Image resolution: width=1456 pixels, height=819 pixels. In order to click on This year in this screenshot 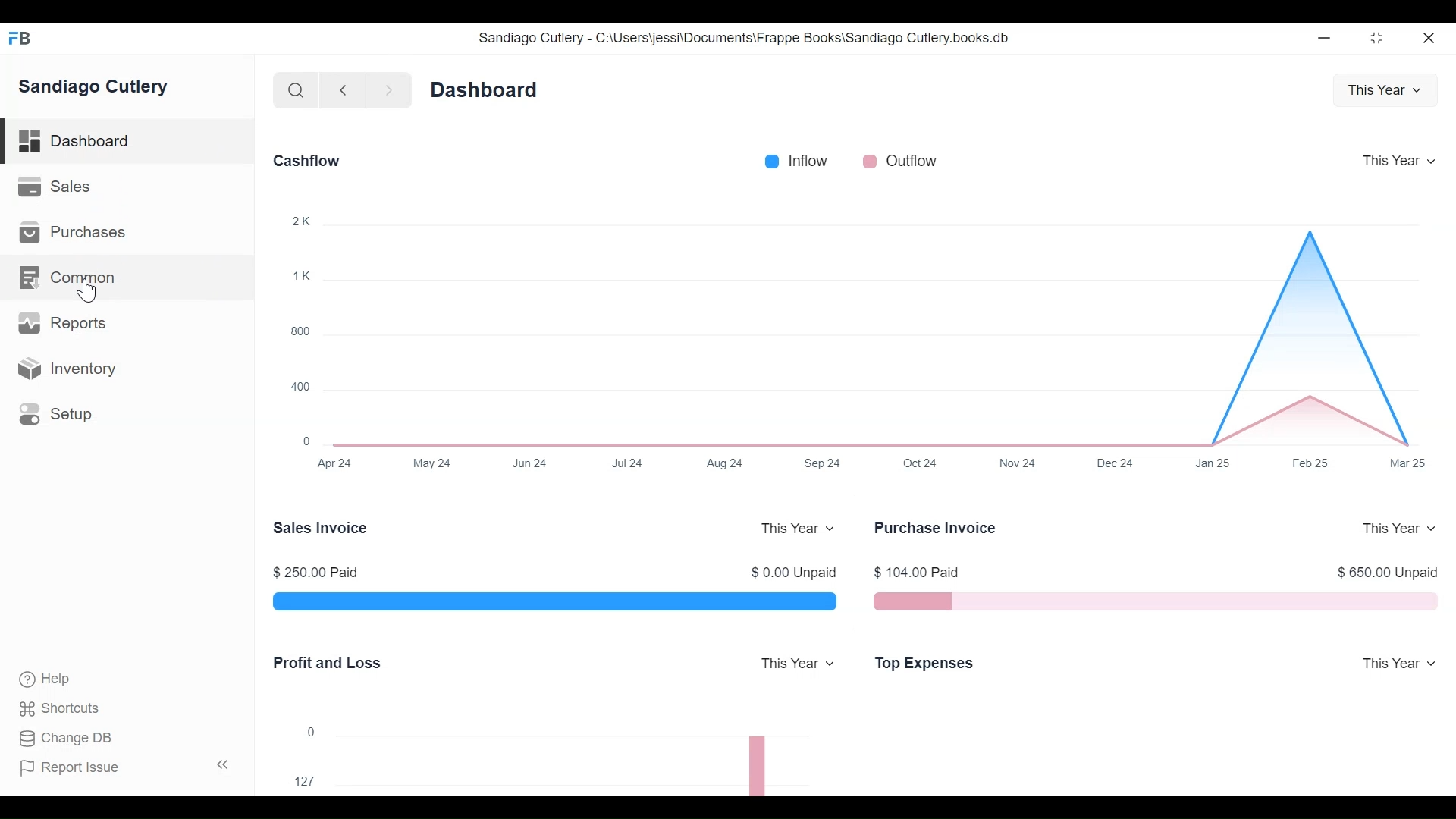, I will do `click(1401, 661)`.